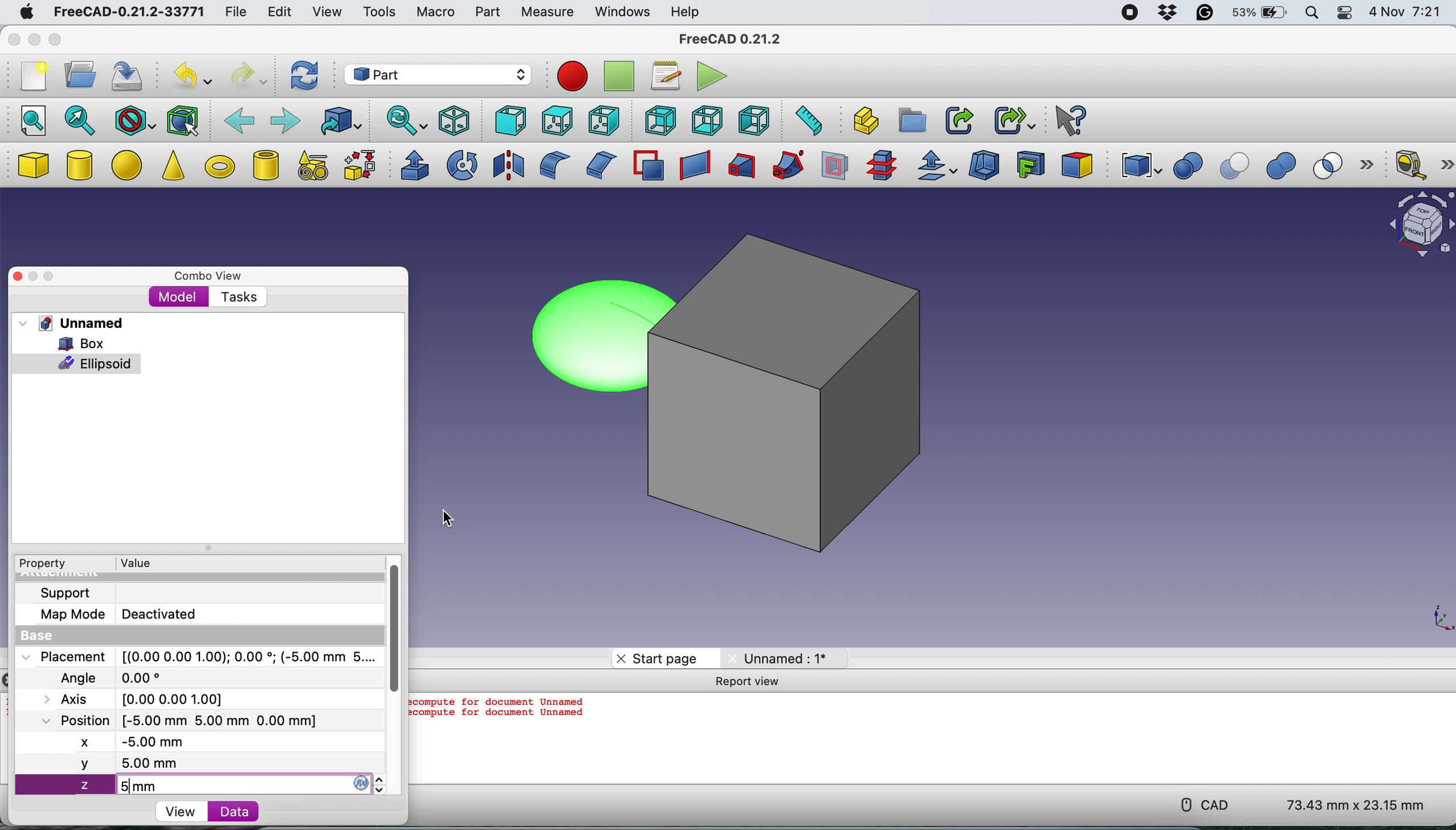 This screenshot has width=1456, height=830. What do you see at coordinates (134, 563) in the screenshot?
I see `value` at bounding box center [134, 563].